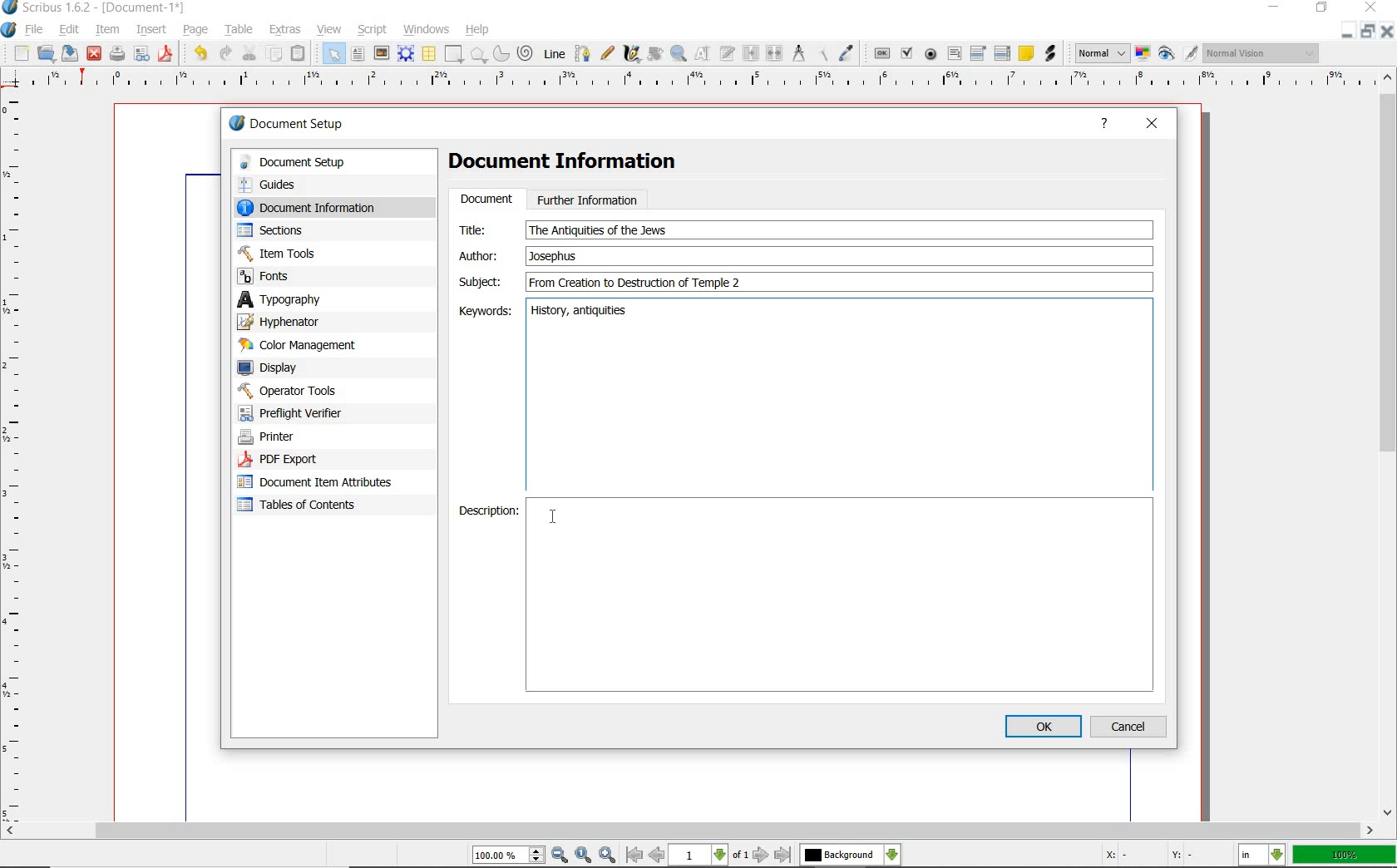 Image resolution: width=1397 pixels, height=868 pixels. What do you see at coordinates (315, 253) in the screenshot?
I see `Item Tools` at bounding box center [315, 253].